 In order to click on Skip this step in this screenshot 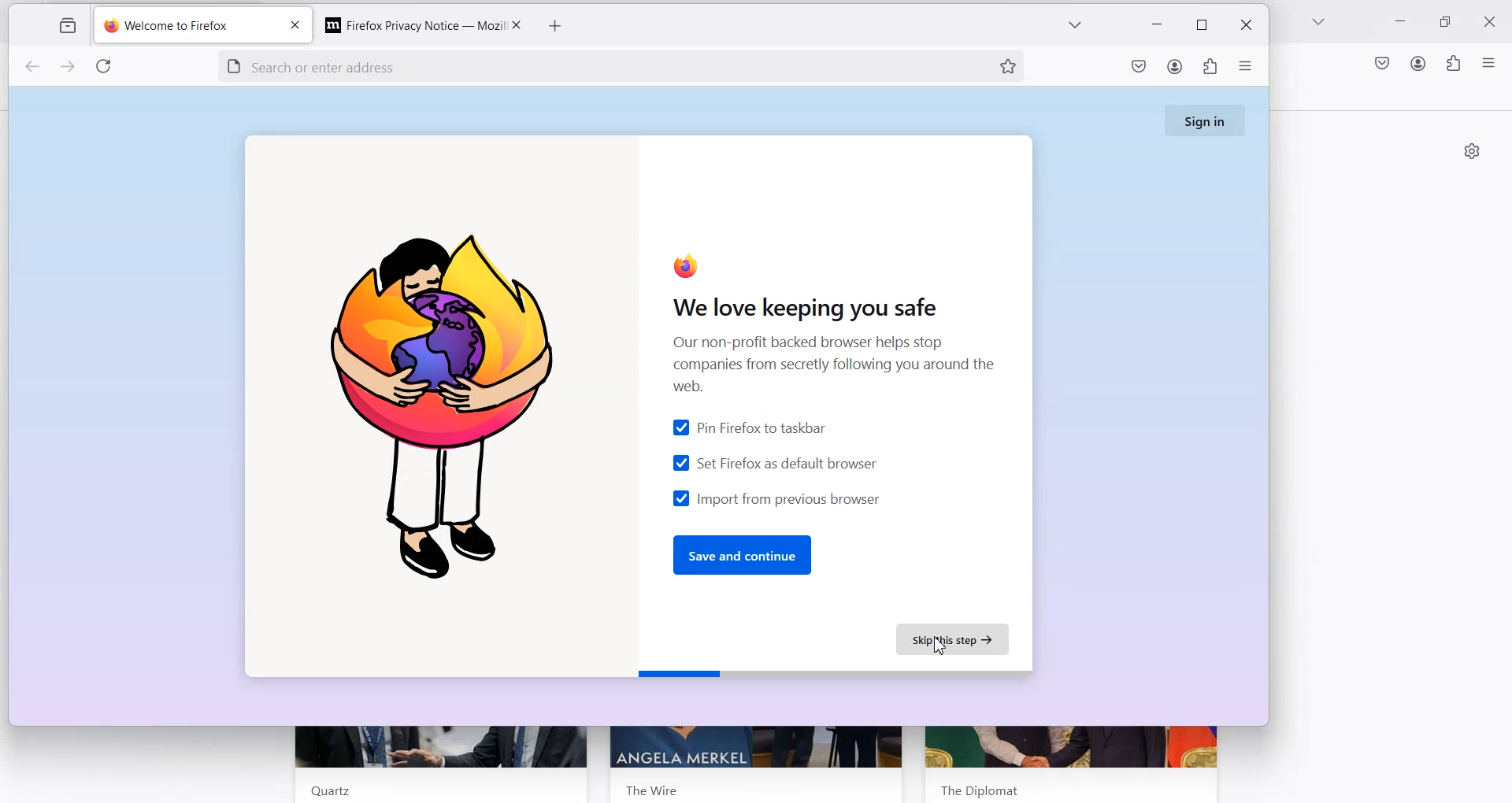, I will do `click(956, 640)`.